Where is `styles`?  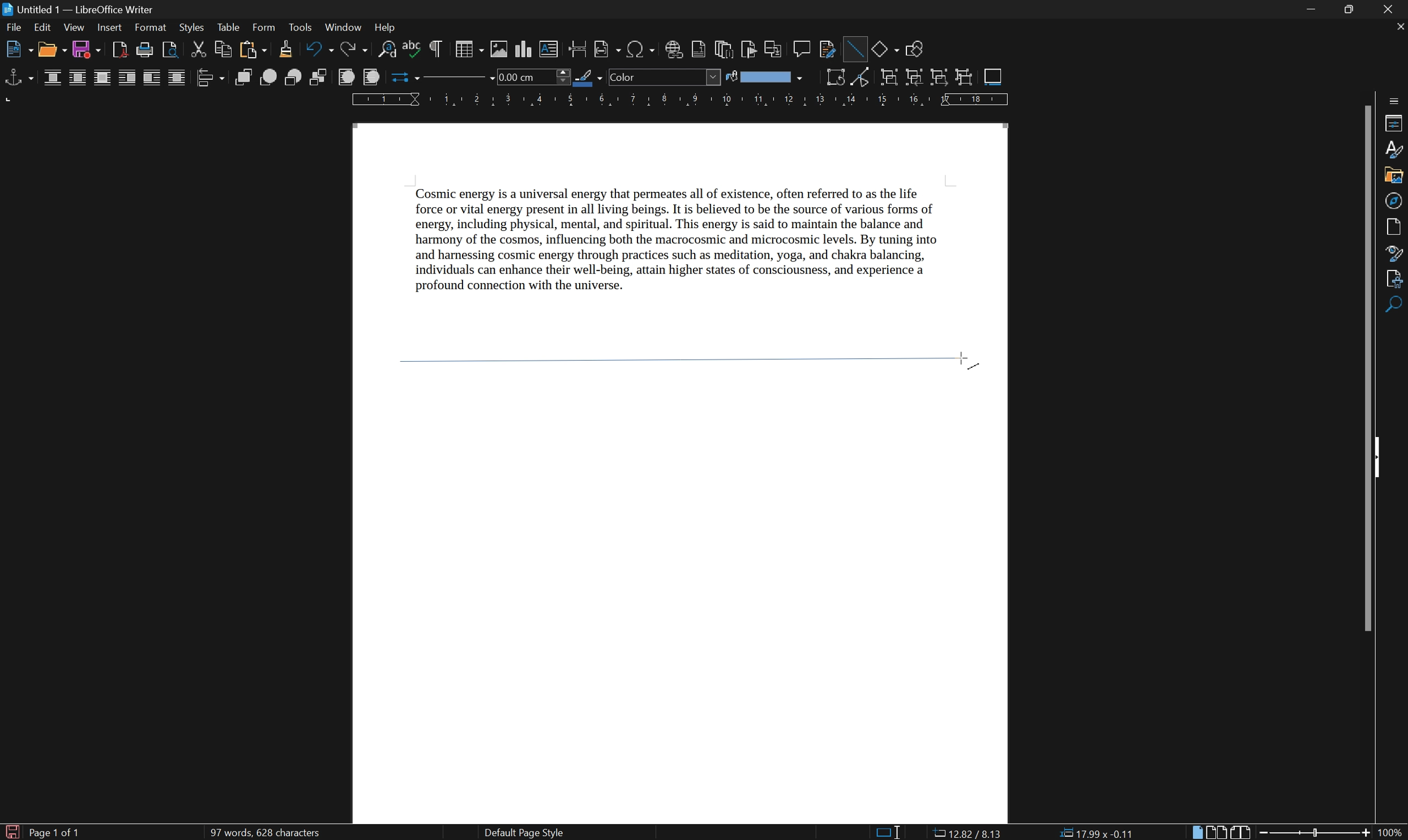
styles is located at coordinates (1394, 149).